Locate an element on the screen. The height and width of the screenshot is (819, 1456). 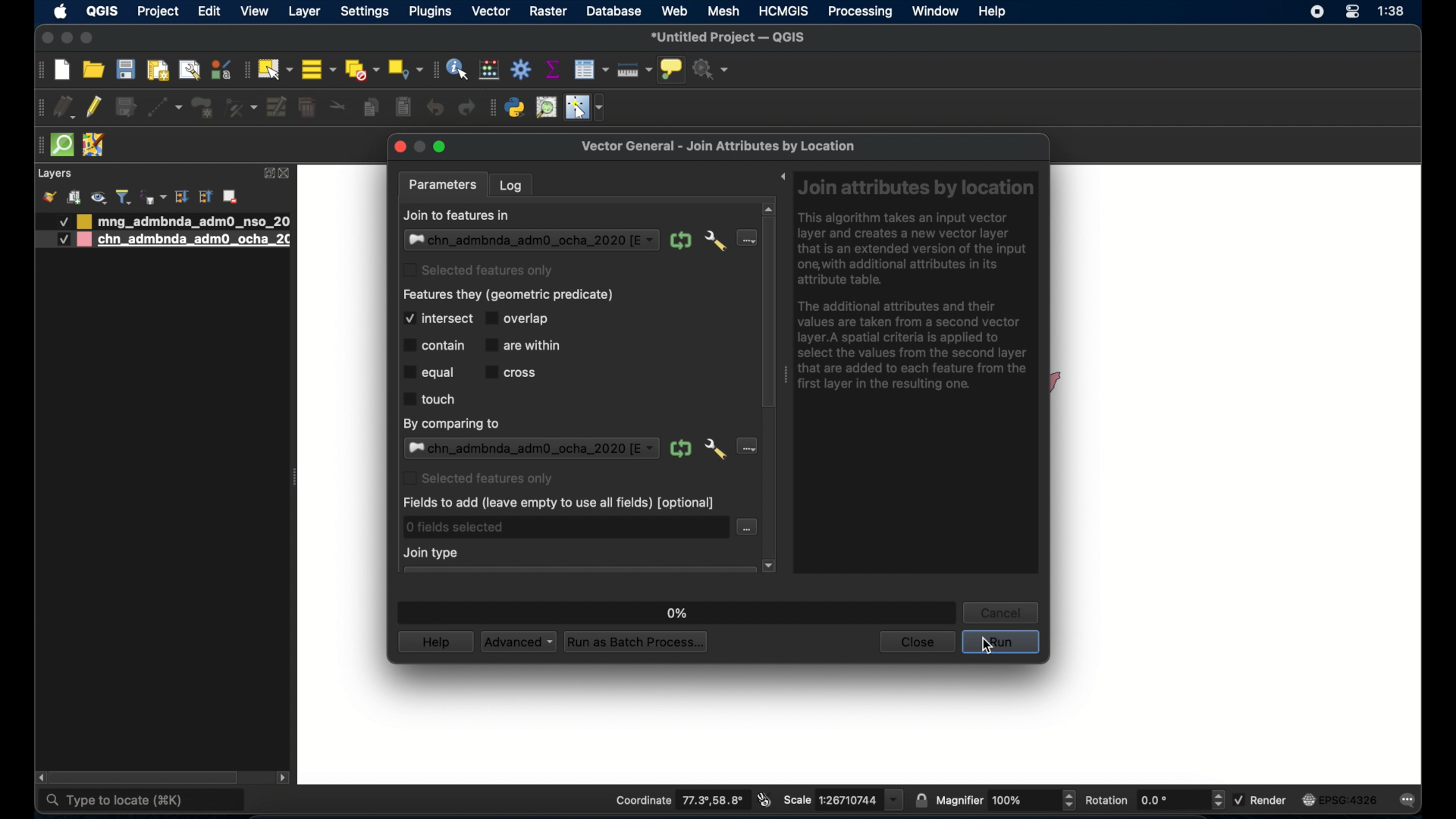
help is located at coordinates (435, 642).